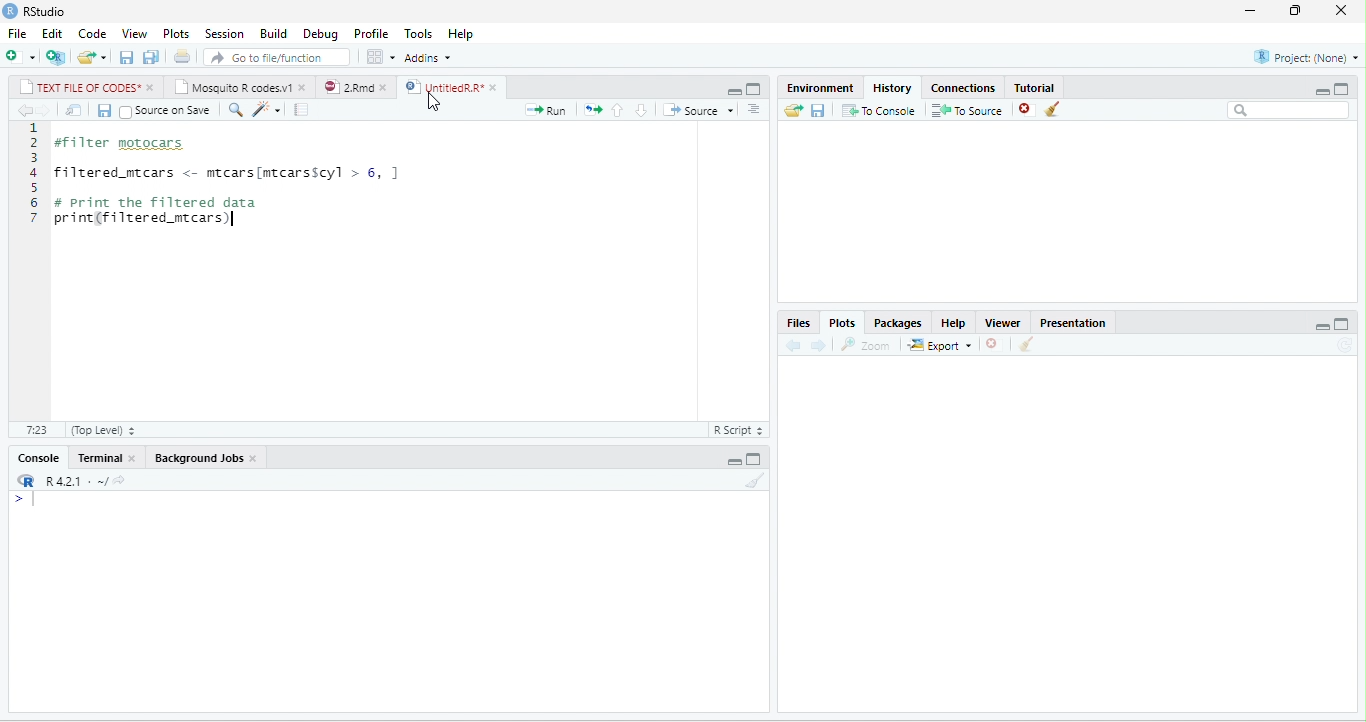  I want to click on >, so click(30, 499).